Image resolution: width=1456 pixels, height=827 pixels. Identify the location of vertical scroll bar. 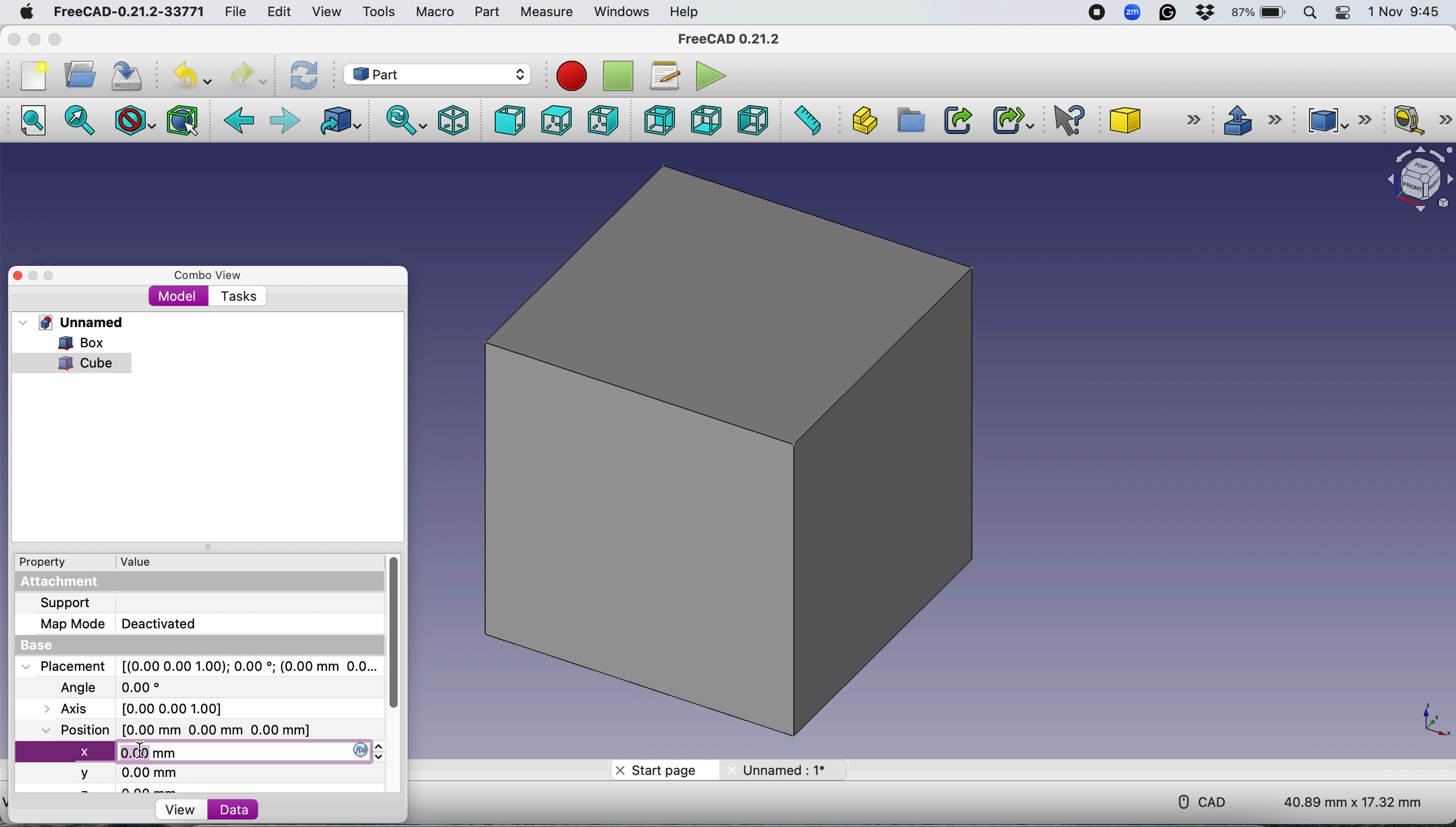
(401, 632).